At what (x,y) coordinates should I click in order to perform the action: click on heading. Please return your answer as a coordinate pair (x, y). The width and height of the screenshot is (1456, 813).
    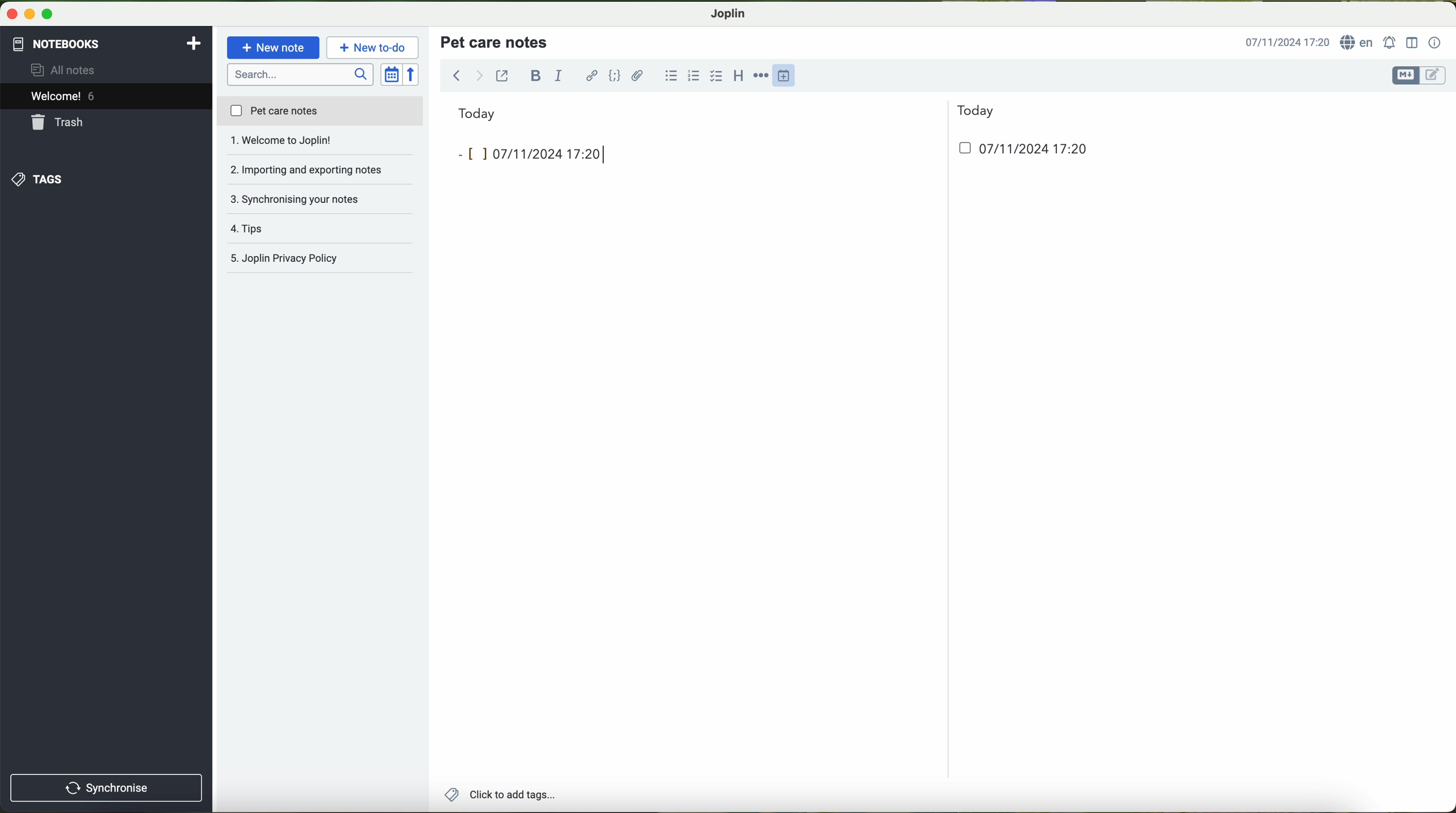
    Looking at the image, I should click on (739, 75).